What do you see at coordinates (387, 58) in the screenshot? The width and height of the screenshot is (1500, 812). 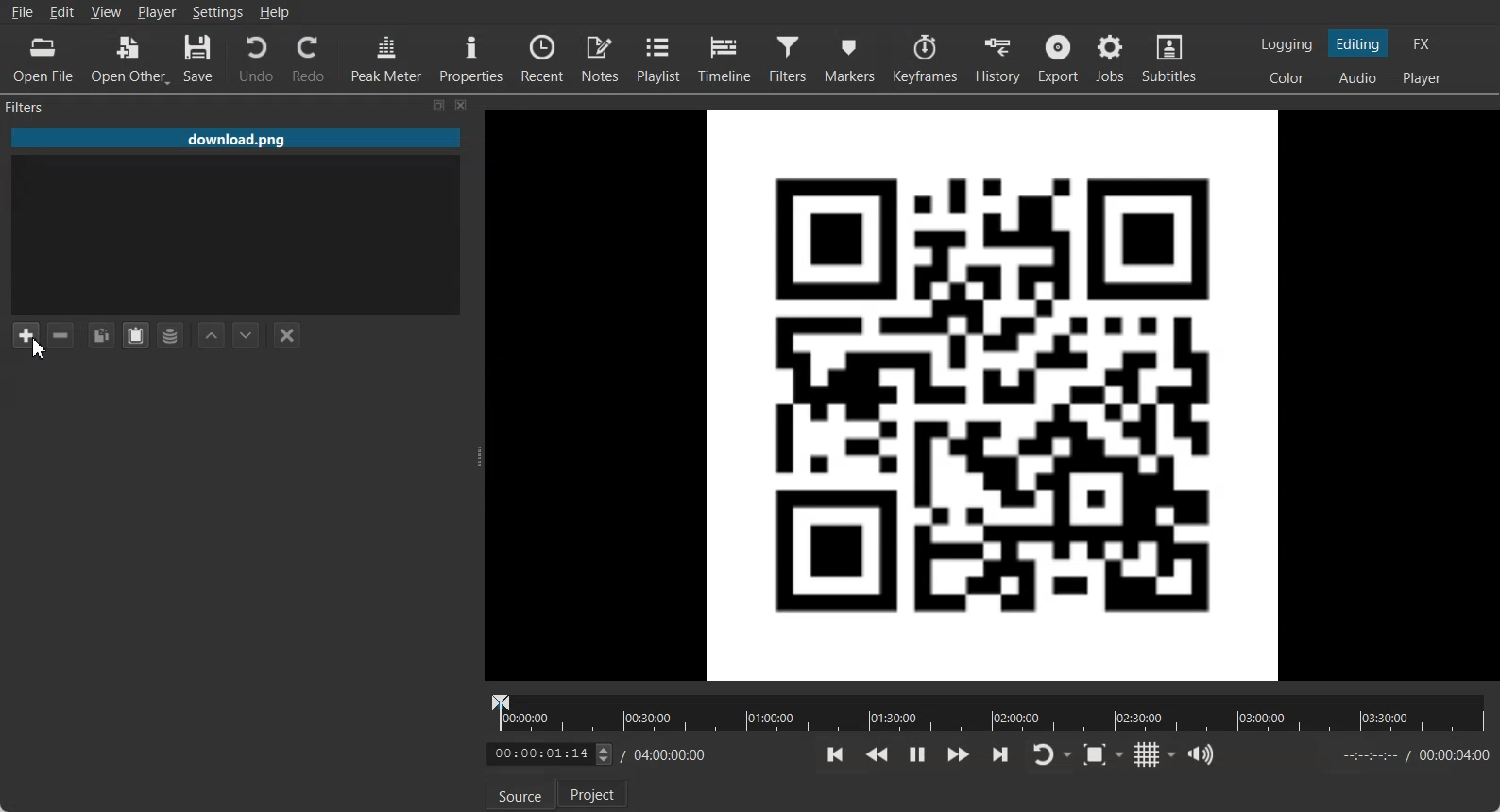 I see `Peak Meter` at bounding box center [387, 58].